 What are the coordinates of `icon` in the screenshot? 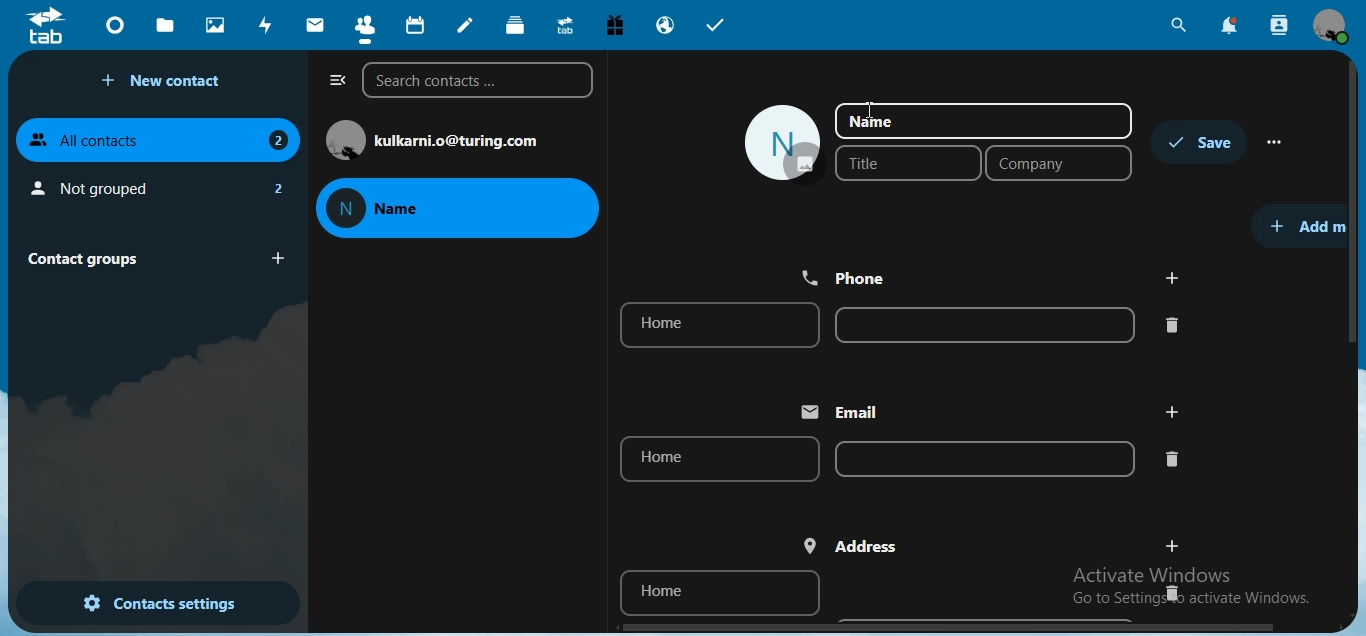 It's located at (48, 25).